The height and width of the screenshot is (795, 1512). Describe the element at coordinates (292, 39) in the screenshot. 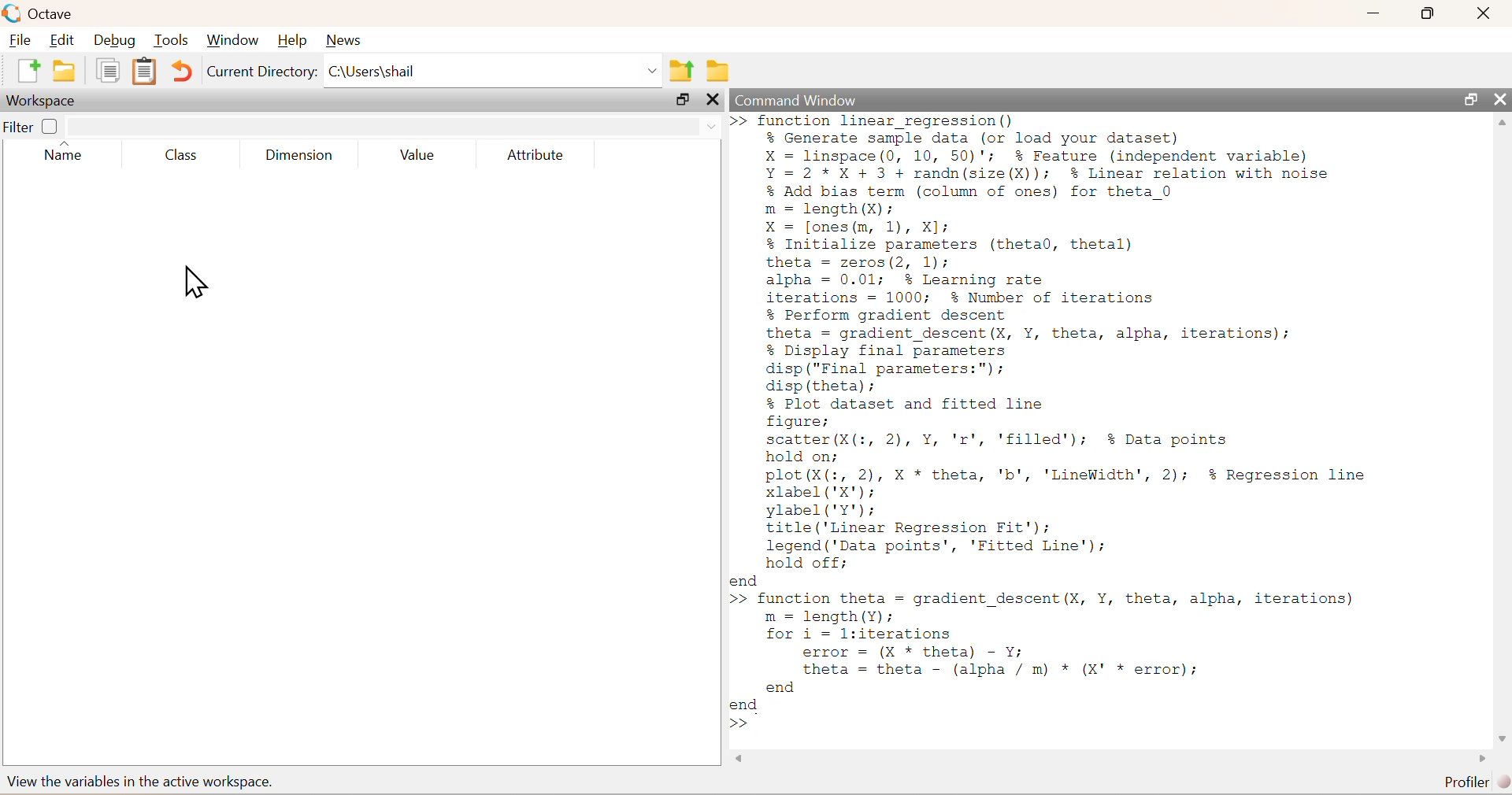

I see `Help` at that location.